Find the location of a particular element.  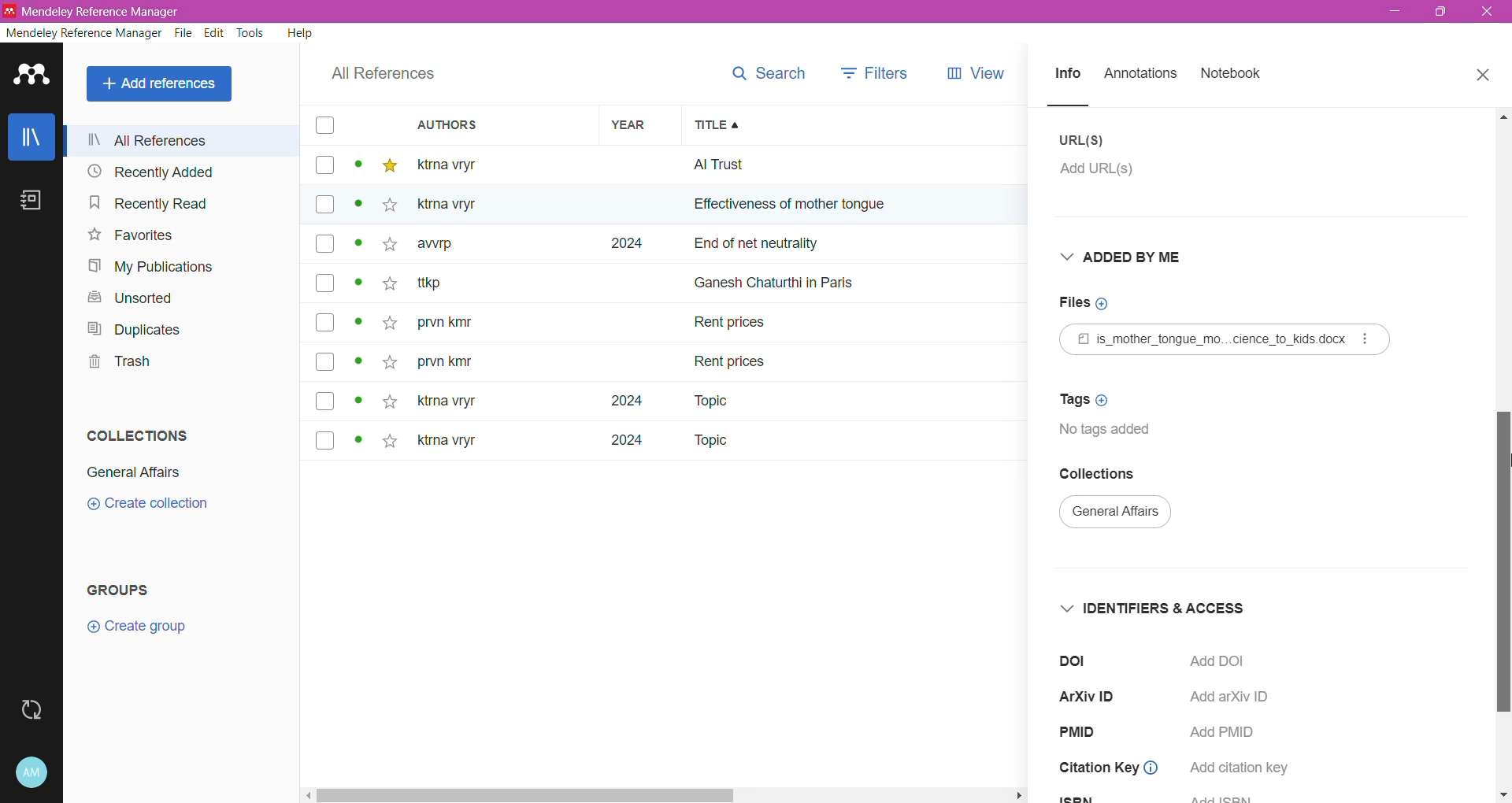

Click to add Files is located at coordinates (1092, 303).